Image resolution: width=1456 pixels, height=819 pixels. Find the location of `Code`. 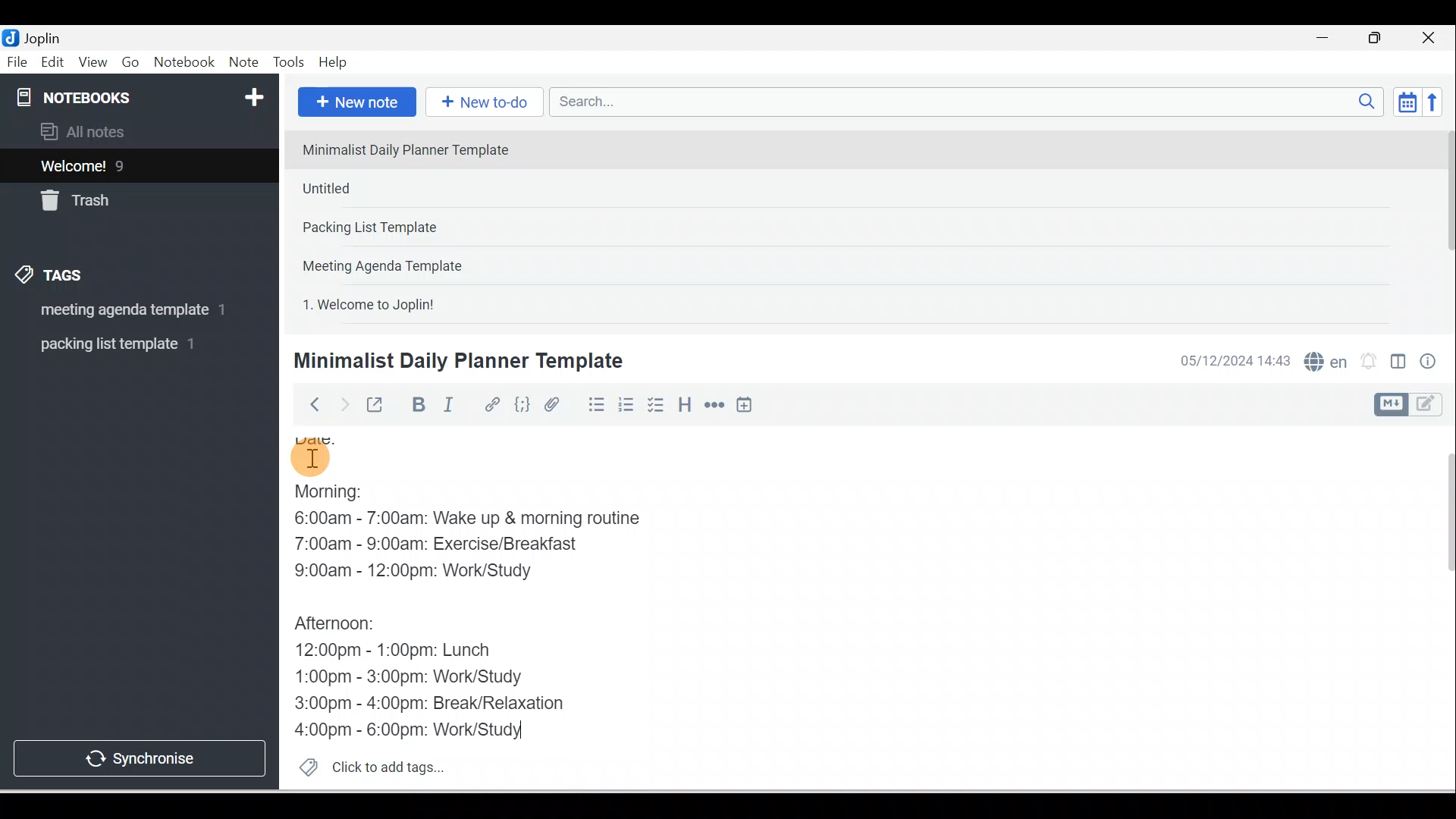

Code is located at coordinates (522, 406).